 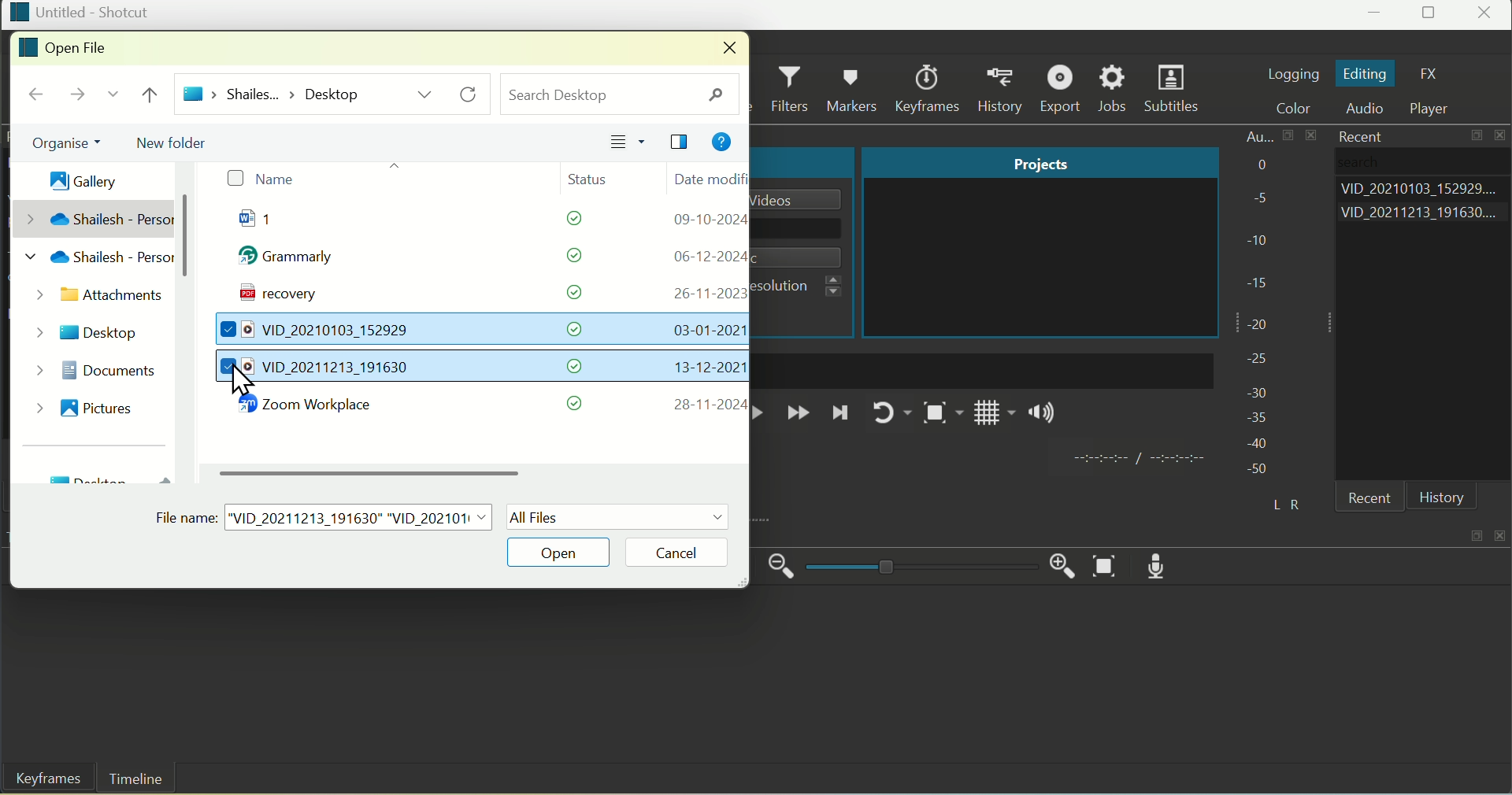 What do you see at coordinates (597, 177) in the screenshot?
I see `Status` at bounding box center [597, 177].